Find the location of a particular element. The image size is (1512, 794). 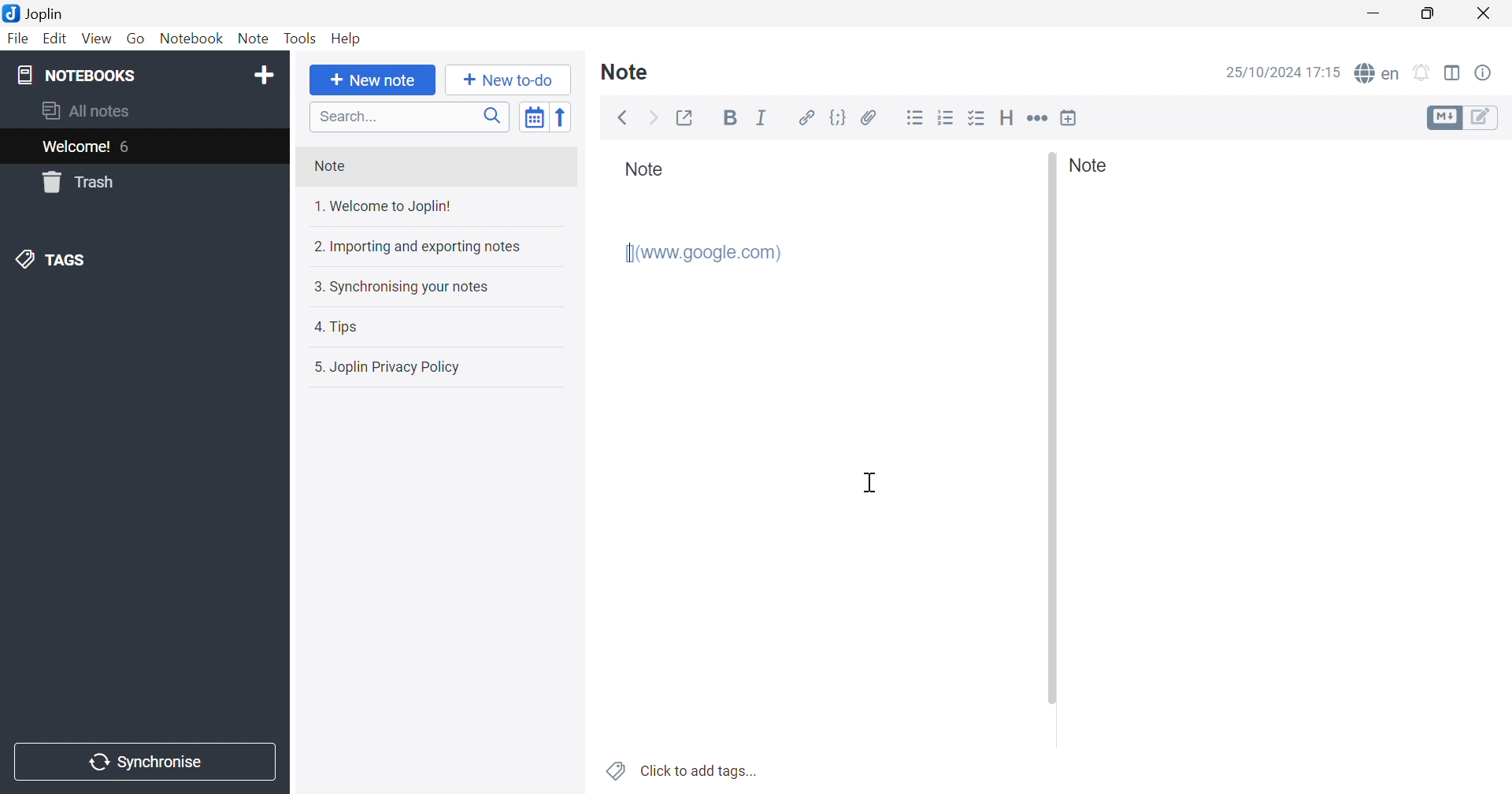

(www.google.com) is located at coordinates (704, 252).